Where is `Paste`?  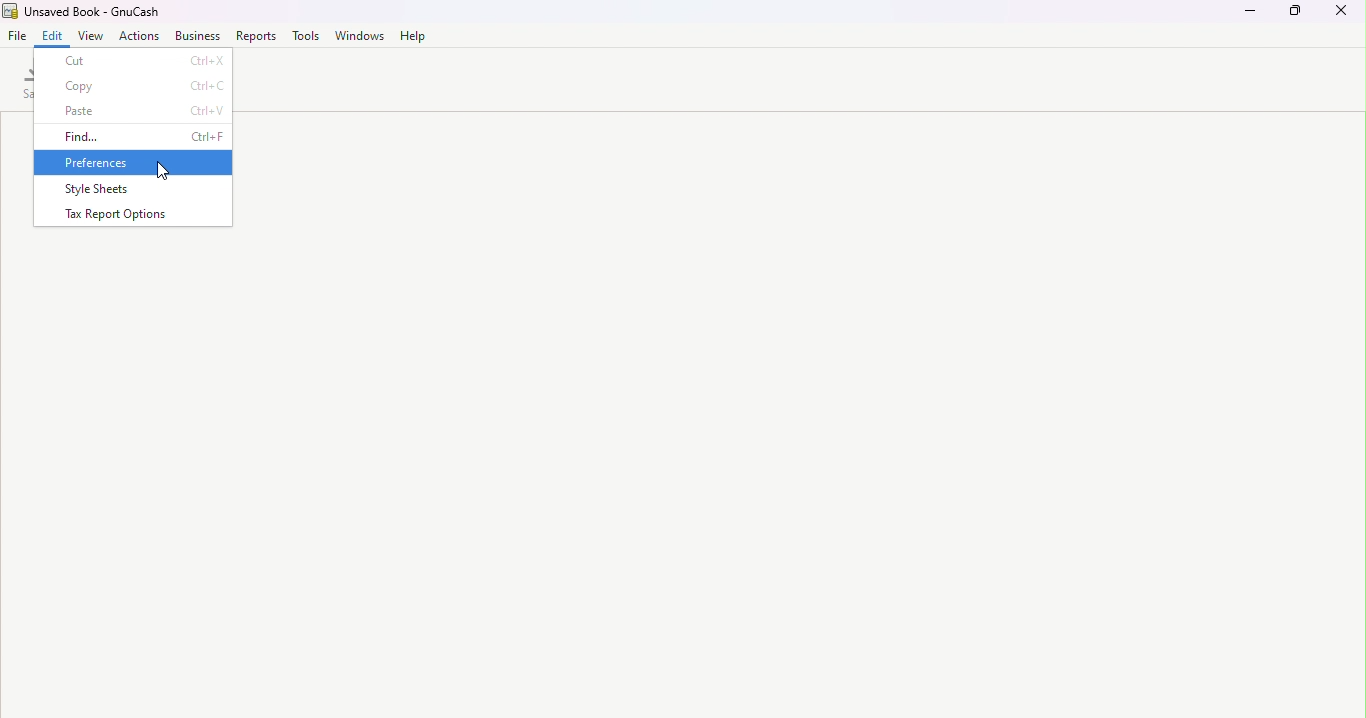
Paste is located at coordinates (135, 110).